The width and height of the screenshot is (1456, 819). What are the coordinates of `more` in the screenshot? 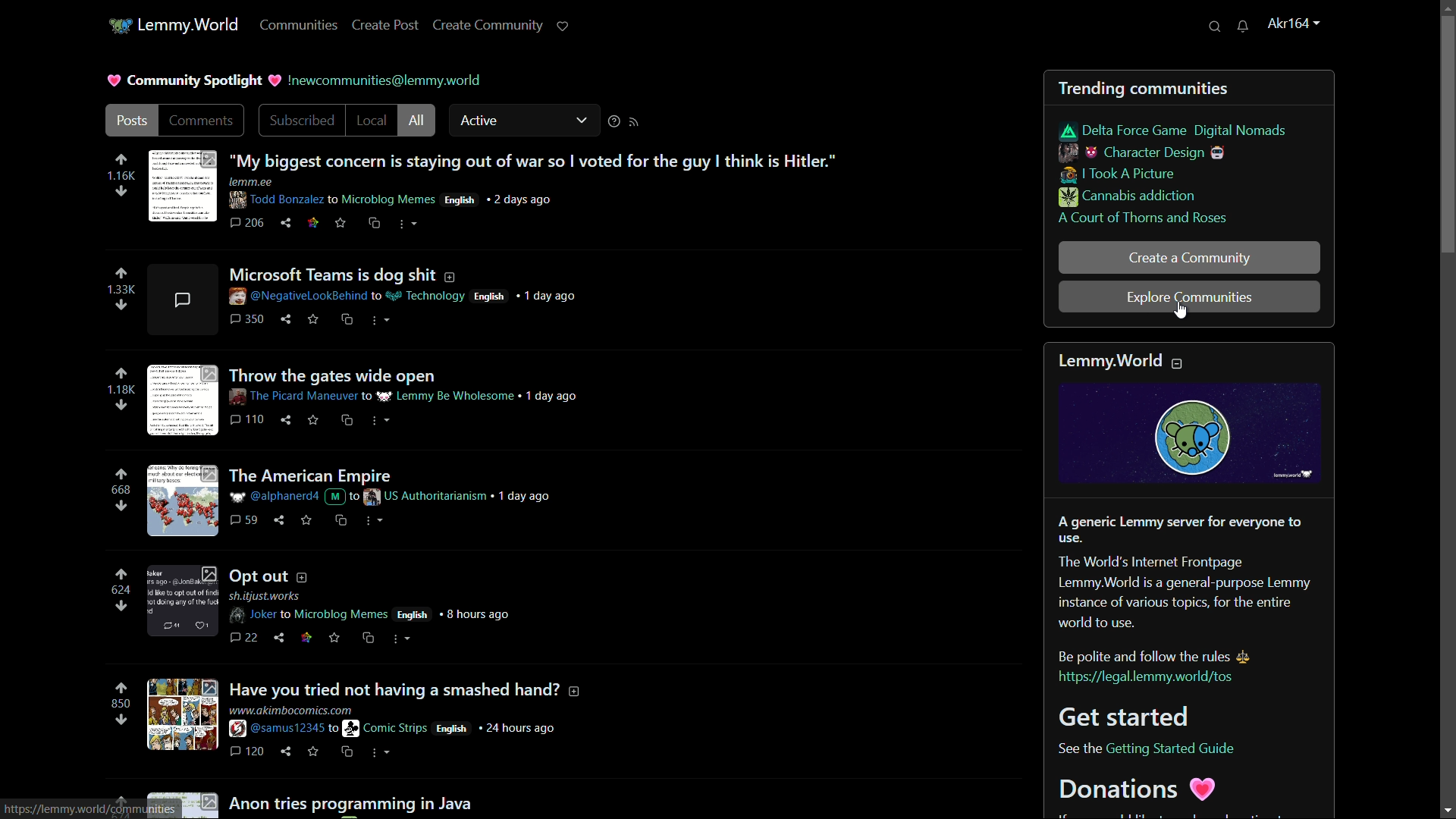 It's located at (381, 420).